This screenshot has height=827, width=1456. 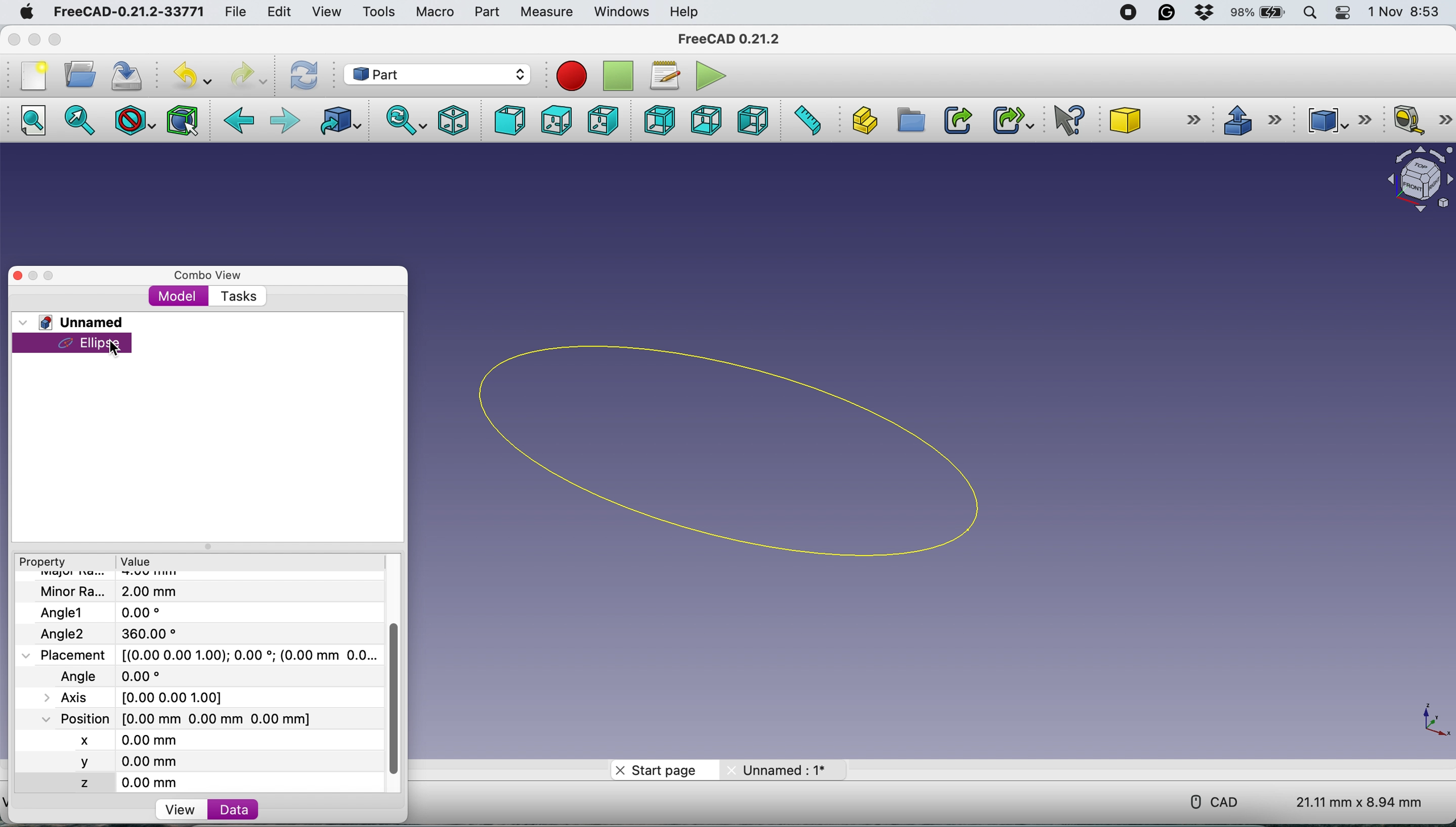 What do you see at coordinates (34, 275) in the screenshot?
I see `minimise` at bounding box center [34, 275].